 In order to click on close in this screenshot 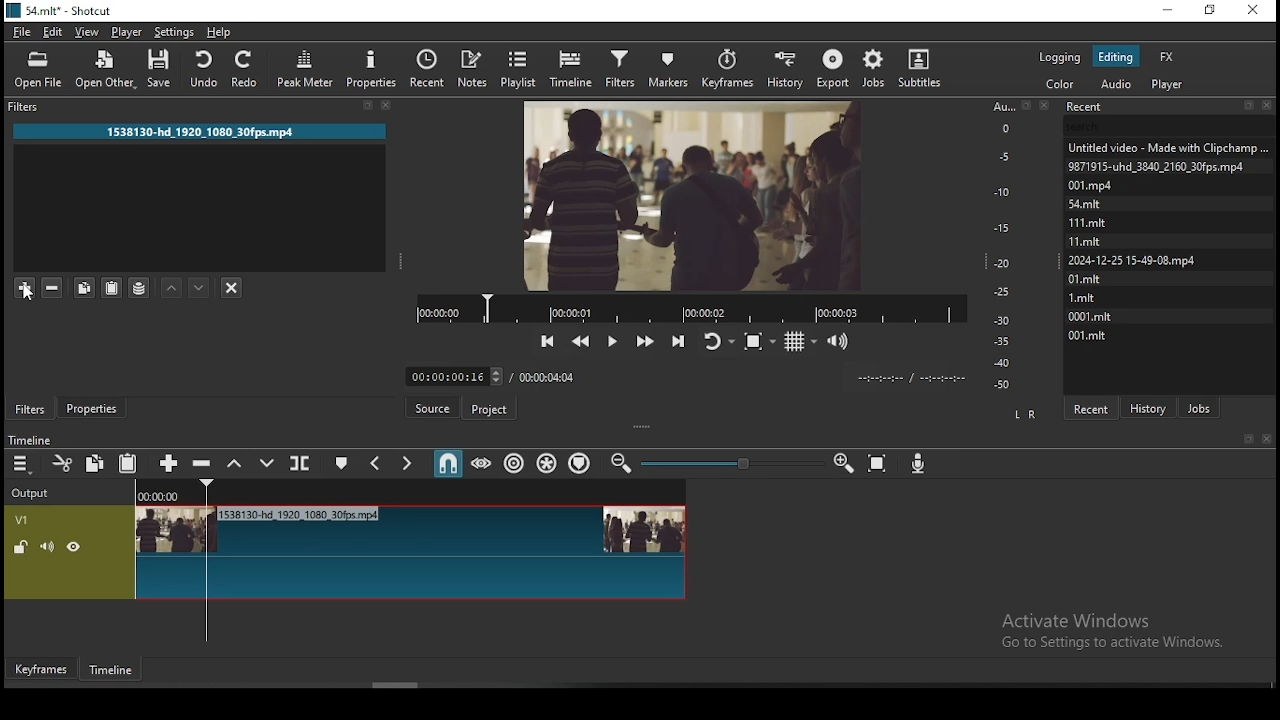, I will do `click(1270, 440)`.